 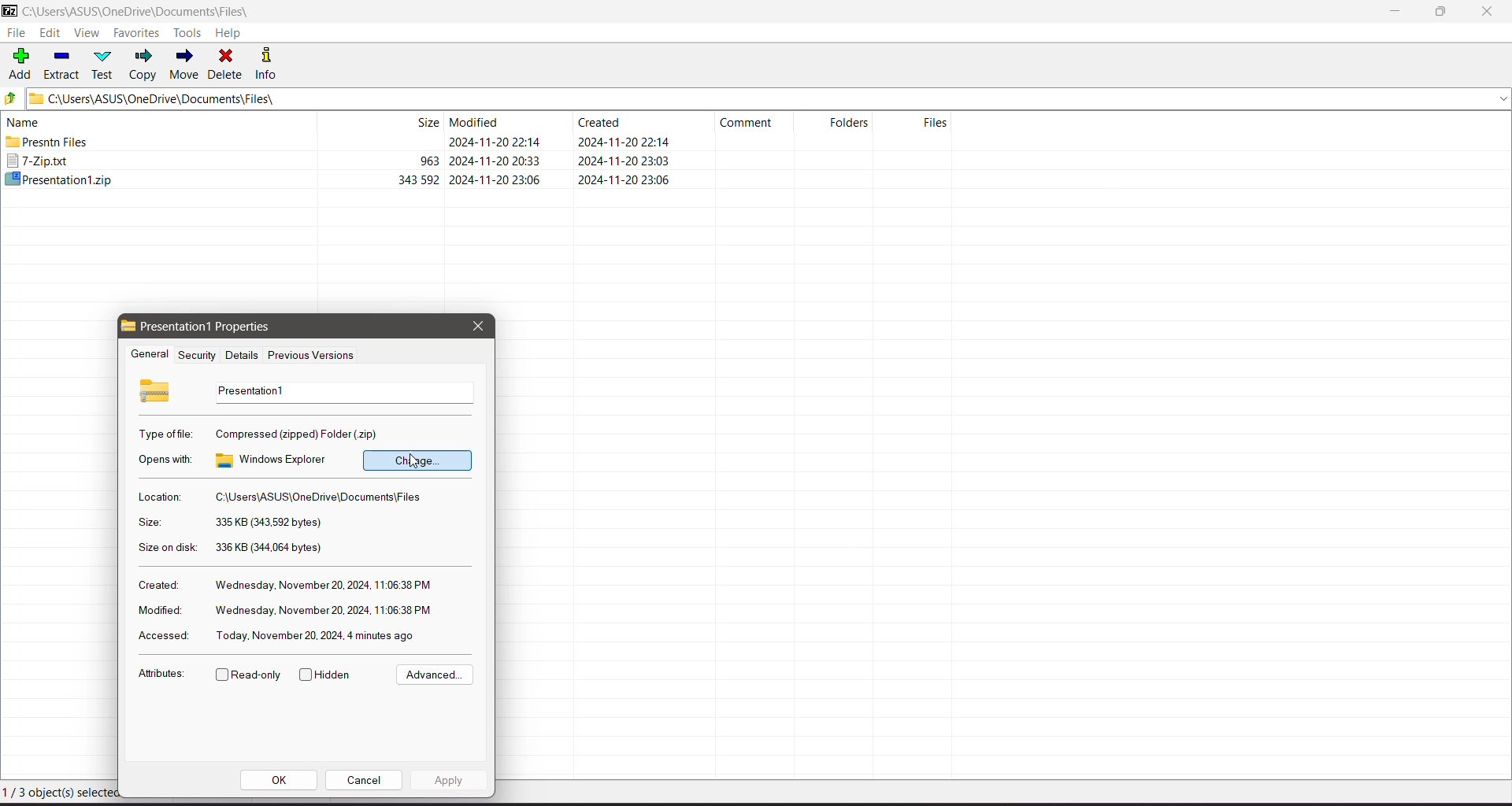 I want to click on Click to change the app to pen the selected file, so click(x=417, y=460).